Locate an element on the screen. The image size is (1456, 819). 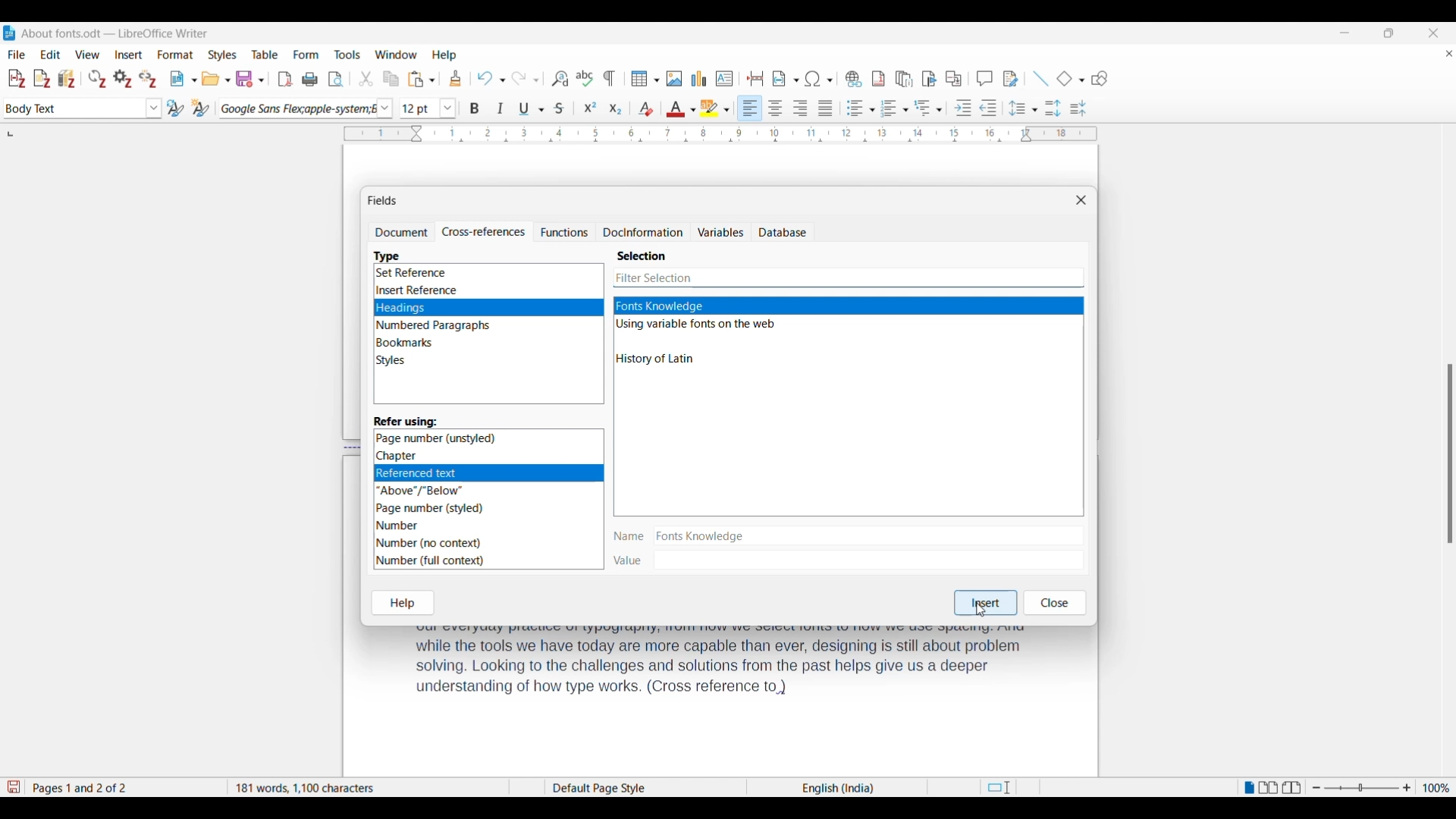
Close software is located at coordinates (1433, 33).